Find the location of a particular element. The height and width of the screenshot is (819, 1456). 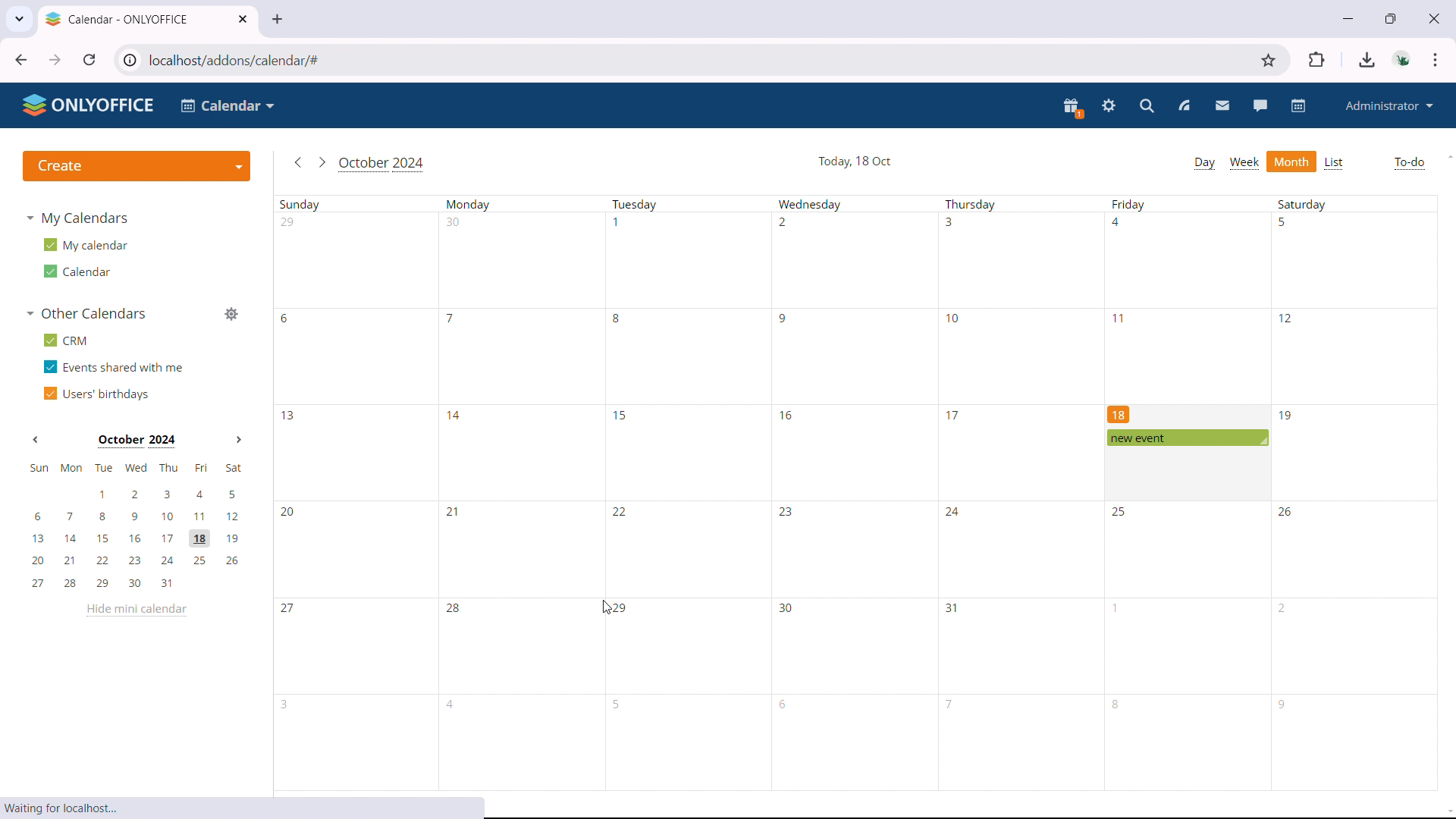

7 is located at coordinates (950, 703).